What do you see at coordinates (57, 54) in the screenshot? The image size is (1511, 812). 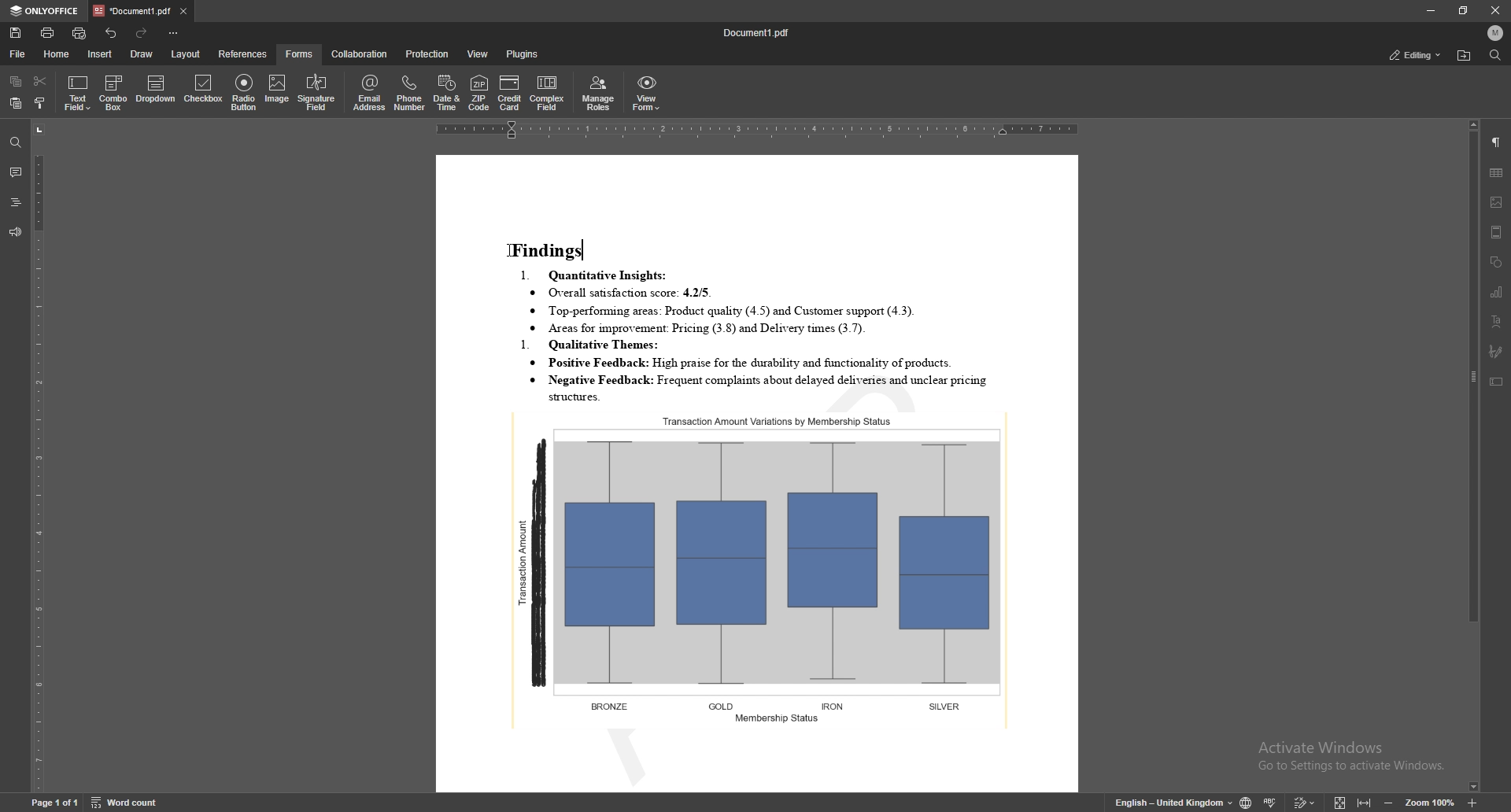 I see `home` at bounding box center [57, 54].